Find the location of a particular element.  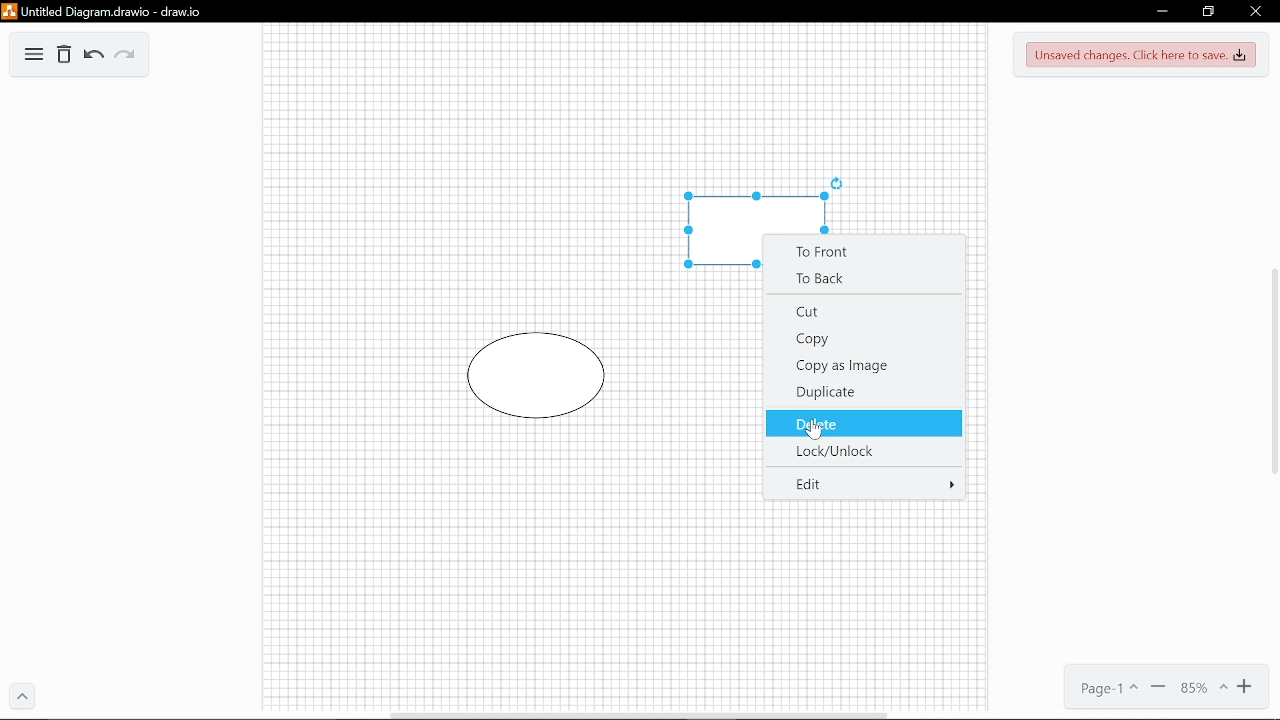

Page 1 is located at coordinates (1102, 690).